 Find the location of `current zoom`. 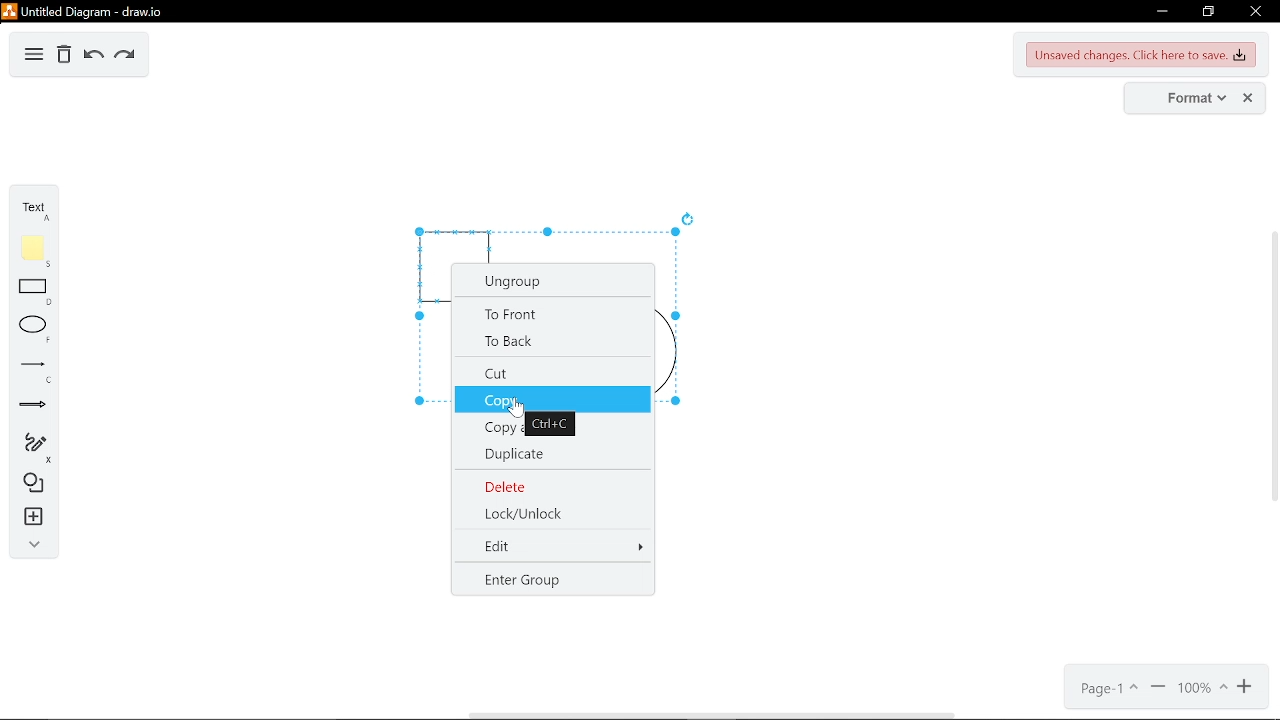

current zoom is located at coordinates (1201, 689).